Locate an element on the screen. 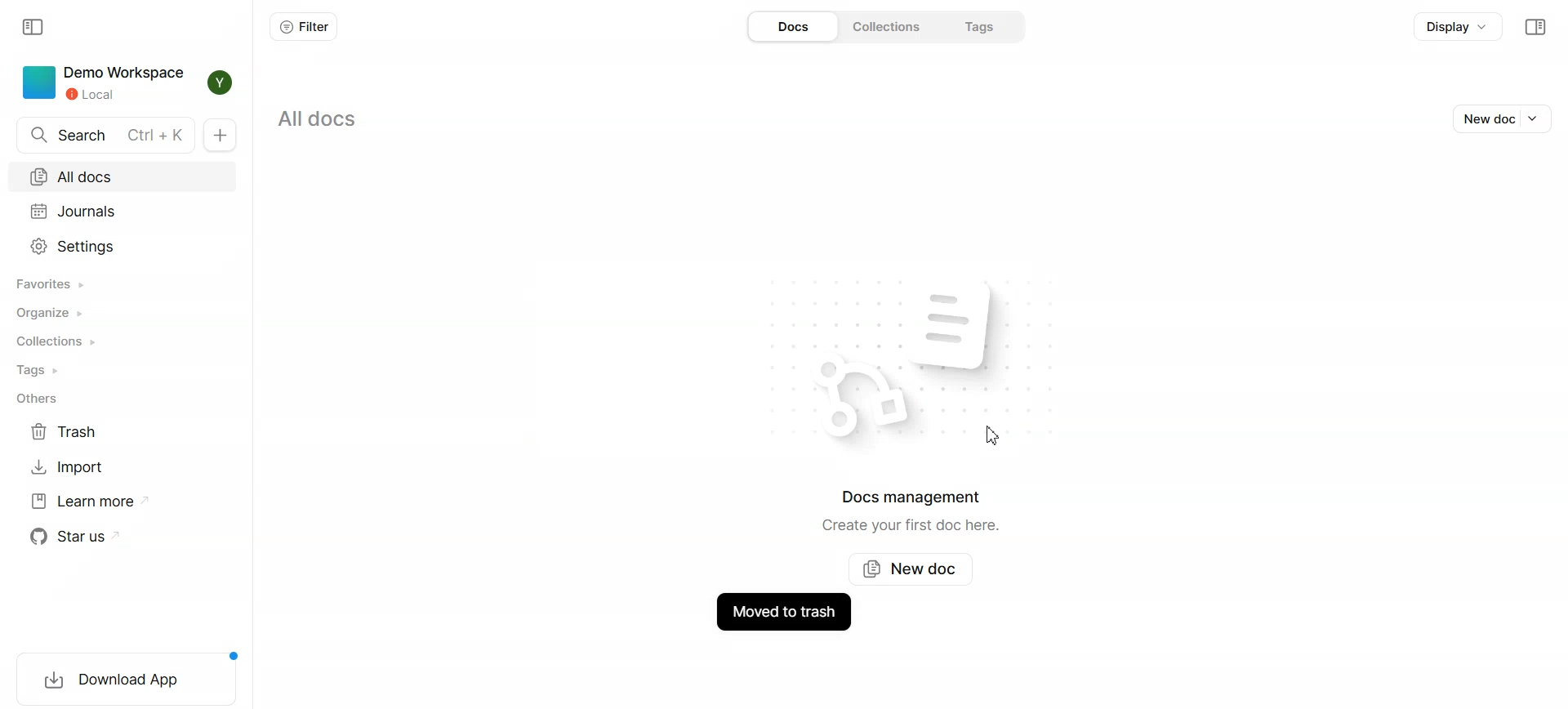  Cursor is located at coordinates (991, 438).